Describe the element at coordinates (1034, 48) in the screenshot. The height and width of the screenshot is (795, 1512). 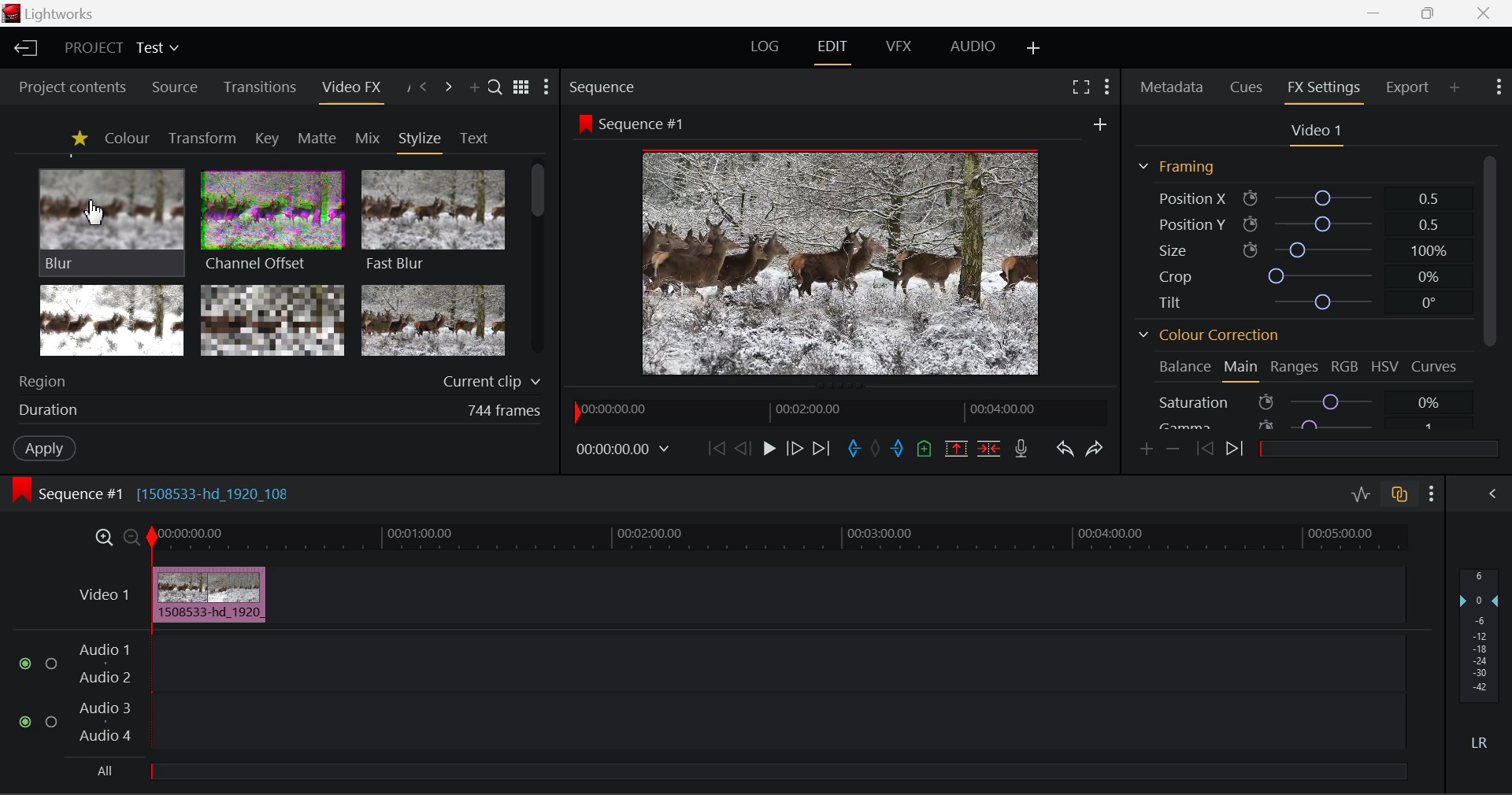
I see `Add Layout` at that location.